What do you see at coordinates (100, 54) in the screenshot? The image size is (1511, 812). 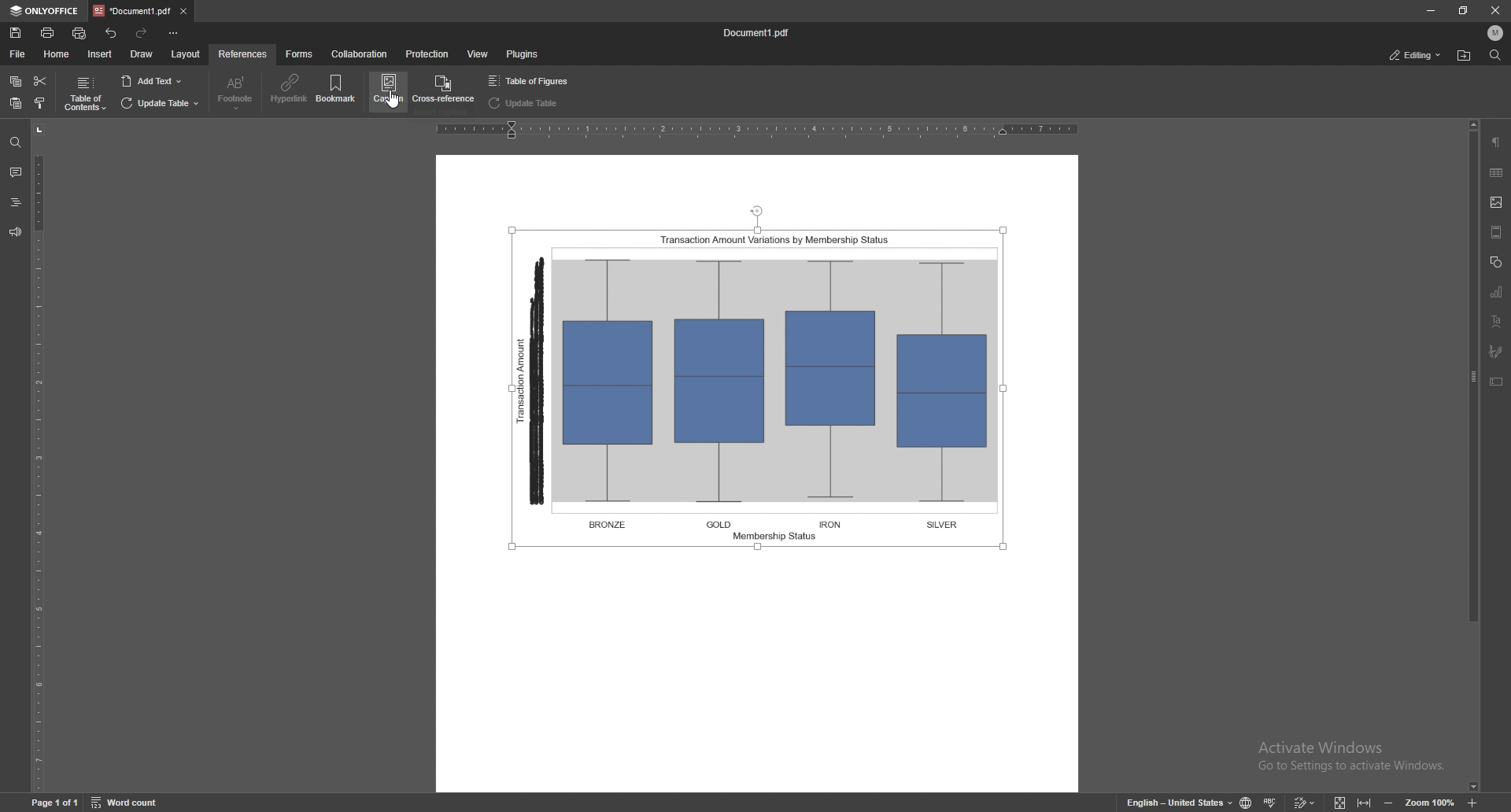 I see `insert` at bounding box center [100, 54].